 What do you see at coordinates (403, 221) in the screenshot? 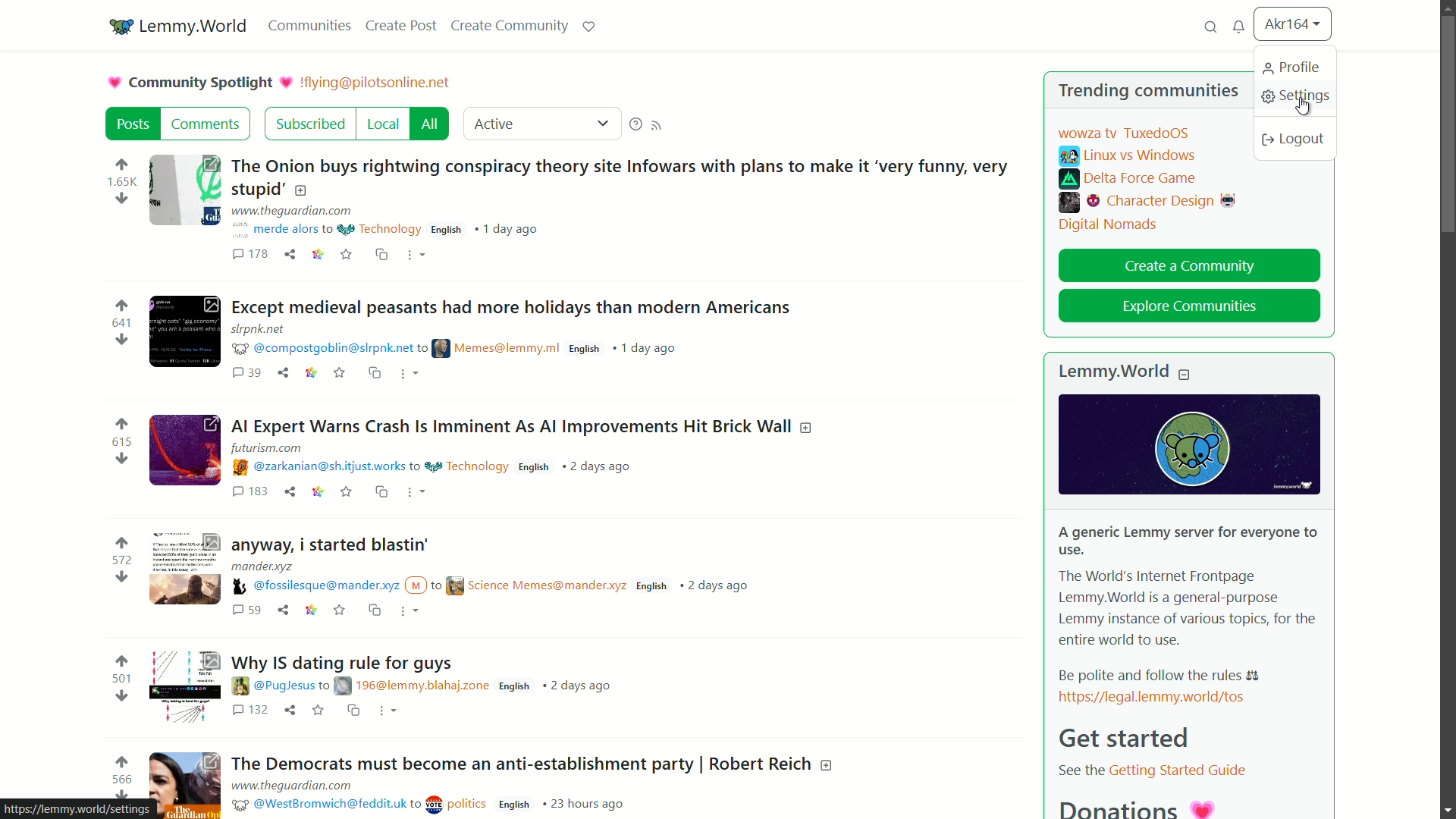
I see `post details` at bounding box center [403, 221].